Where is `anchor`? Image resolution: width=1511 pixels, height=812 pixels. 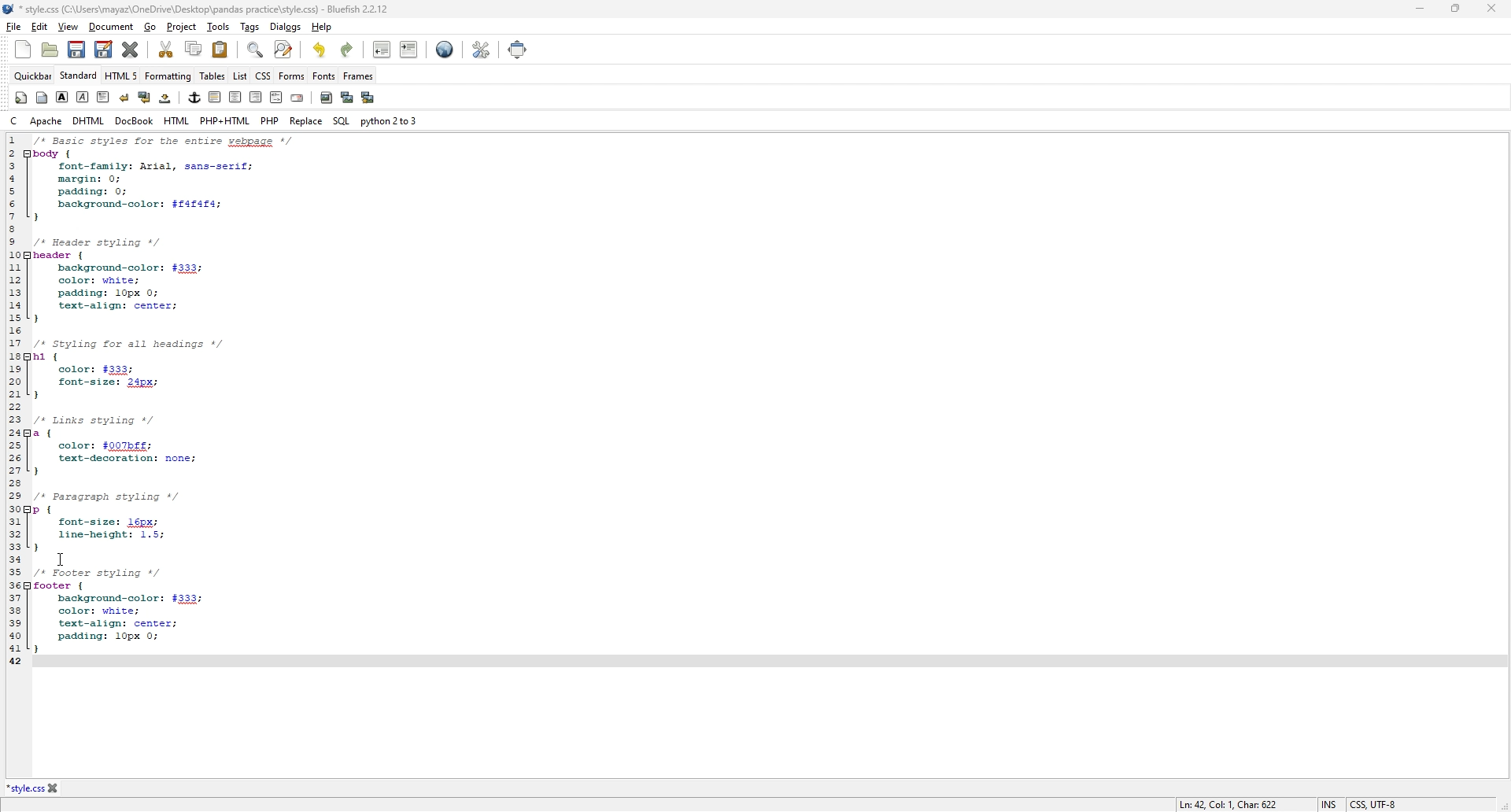 anchor is located at coordinates (195, 98).